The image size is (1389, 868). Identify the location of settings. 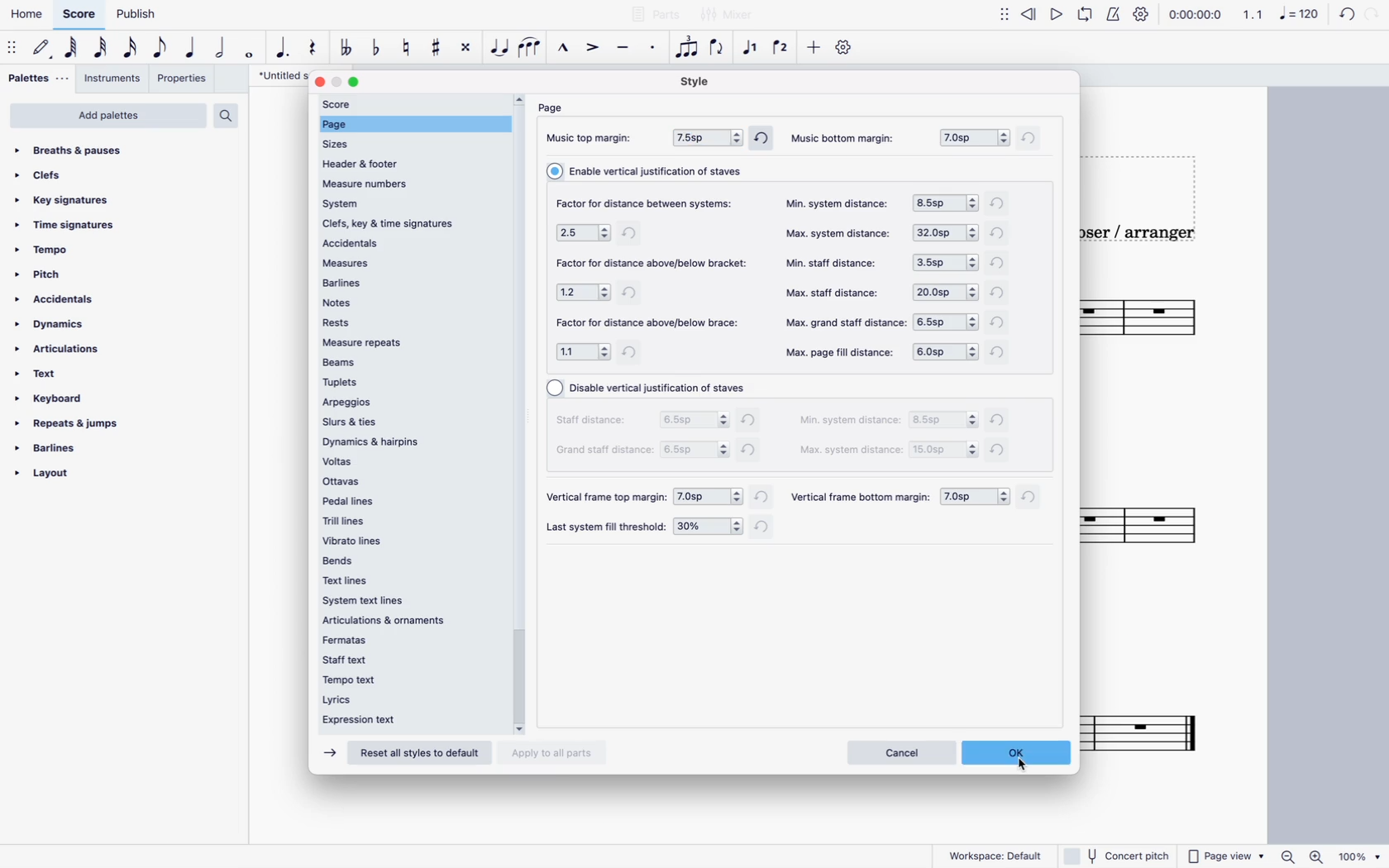
(843, 51).